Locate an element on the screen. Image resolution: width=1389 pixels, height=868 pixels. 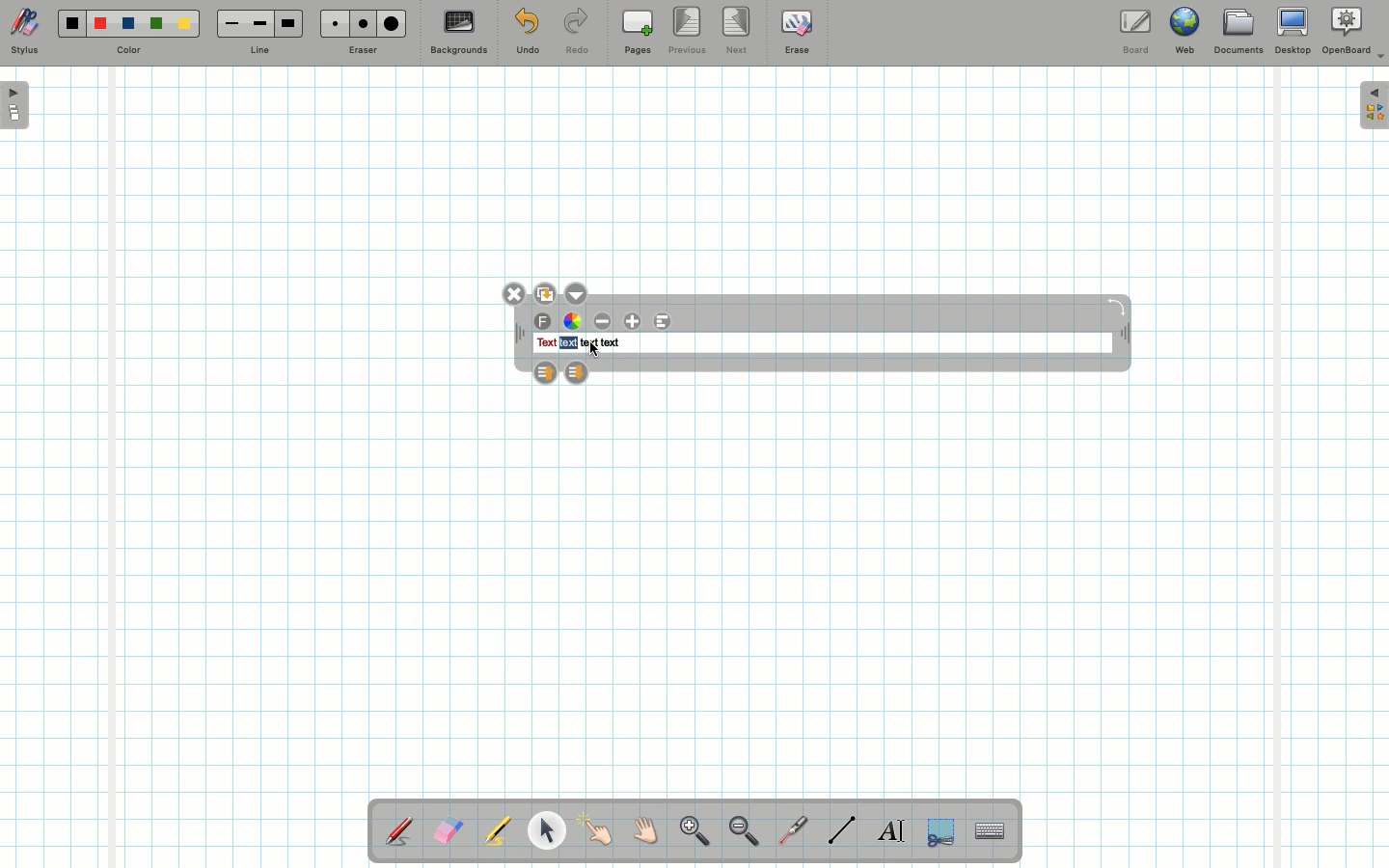
Small eraser is located at coordinates (330, 23).